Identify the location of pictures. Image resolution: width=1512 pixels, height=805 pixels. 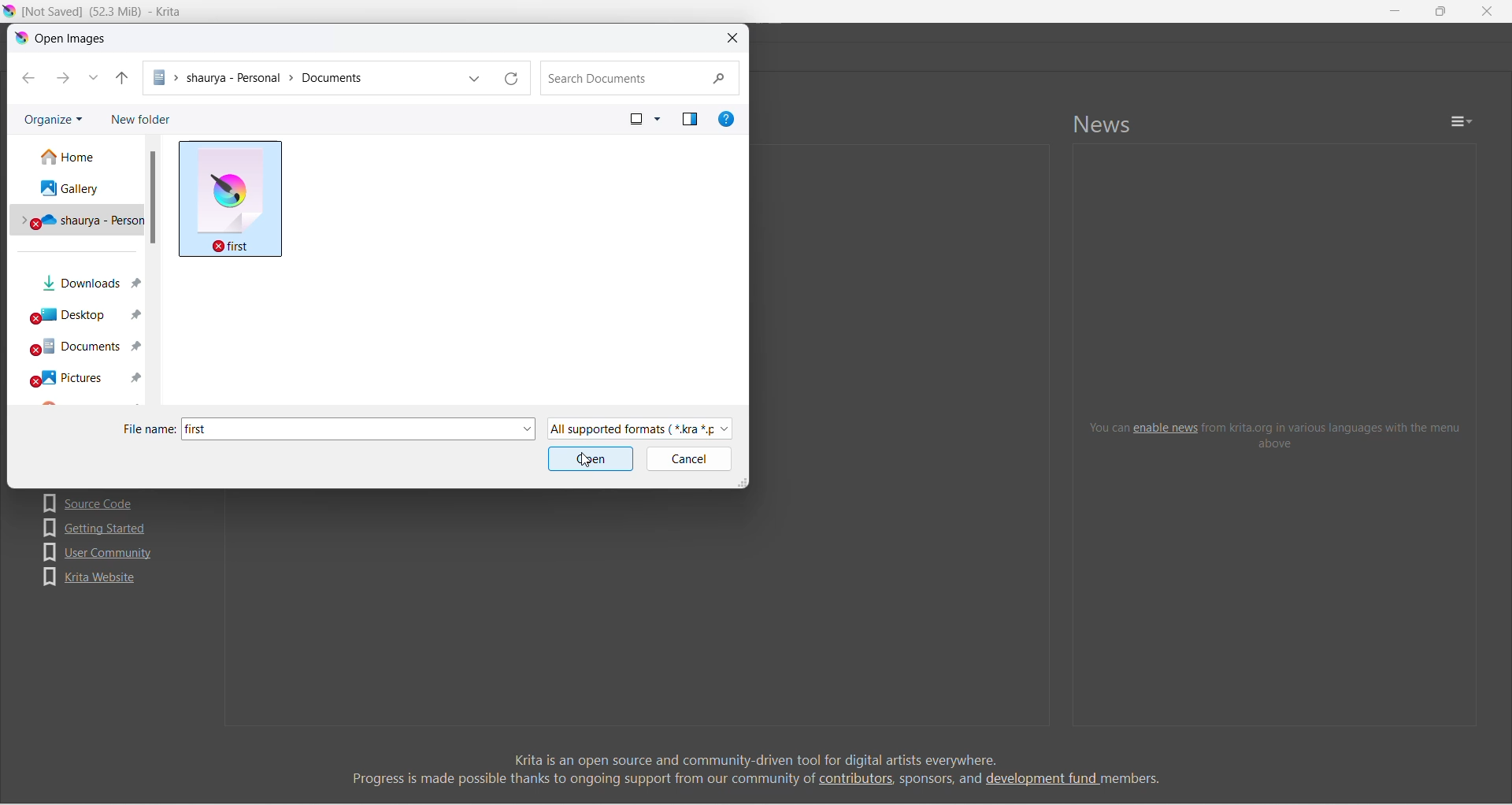
(80, 377).